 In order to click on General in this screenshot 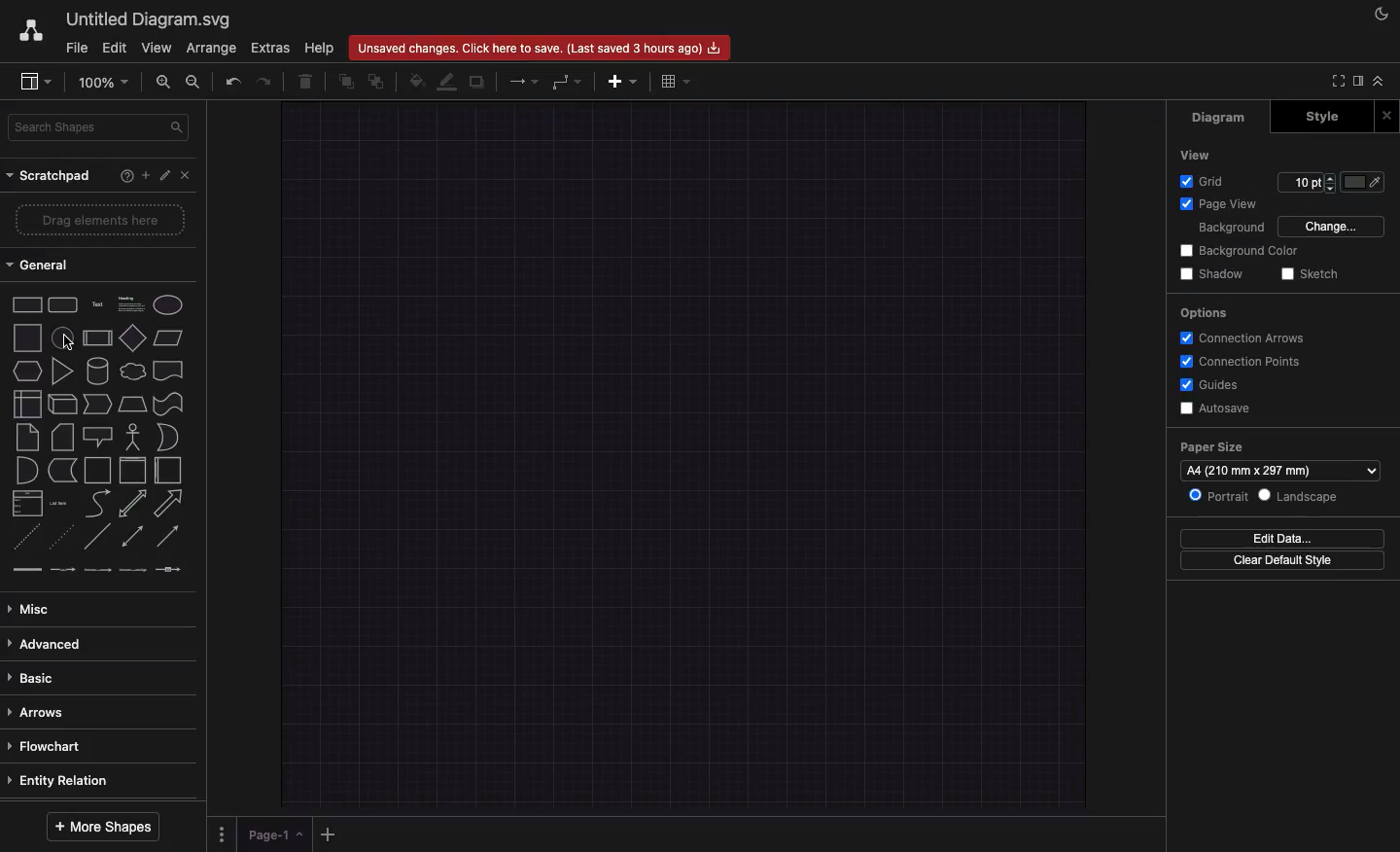, I will do `click(44, 264)`.